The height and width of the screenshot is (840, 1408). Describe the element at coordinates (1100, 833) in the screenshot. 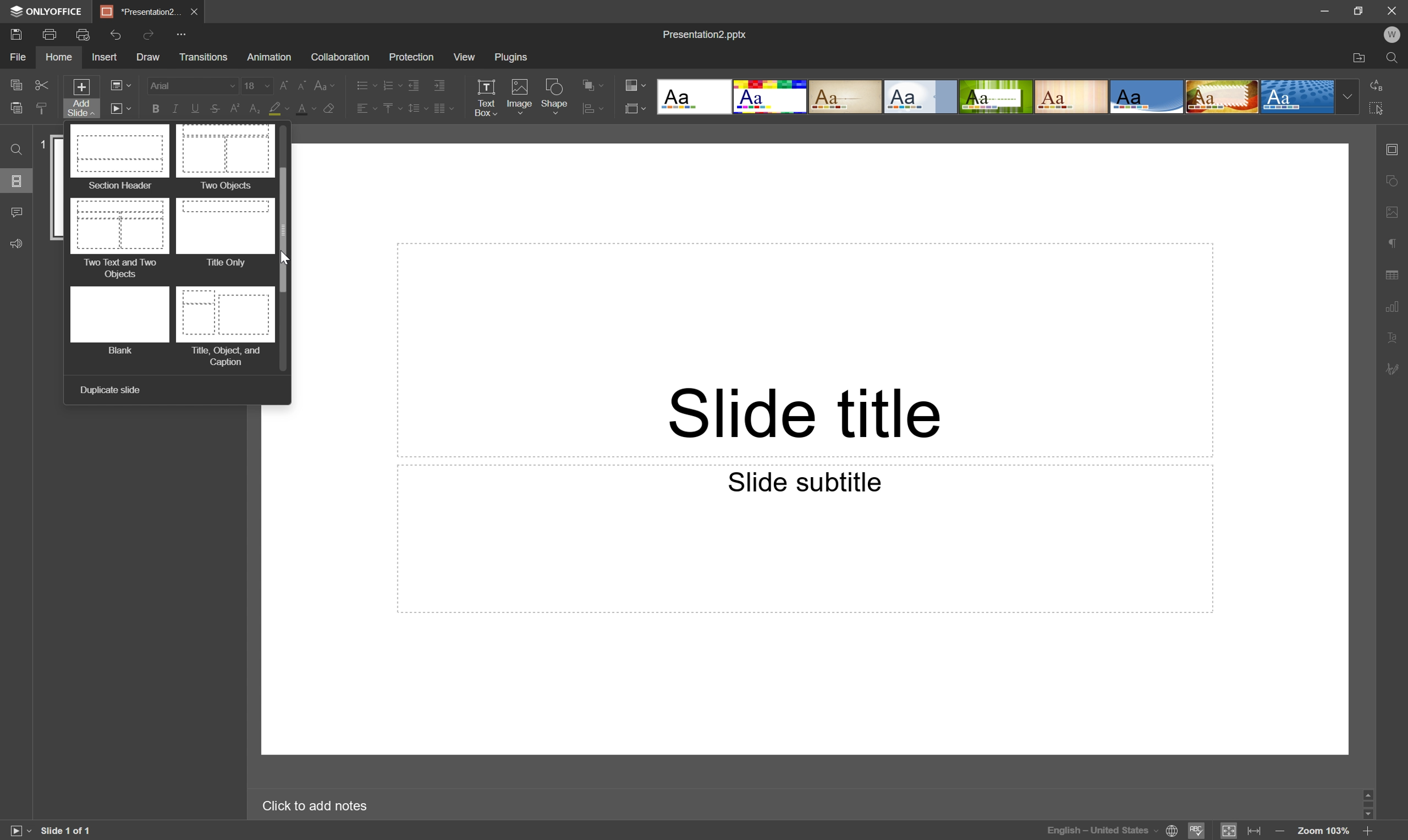

I see `English - United States` at that location.